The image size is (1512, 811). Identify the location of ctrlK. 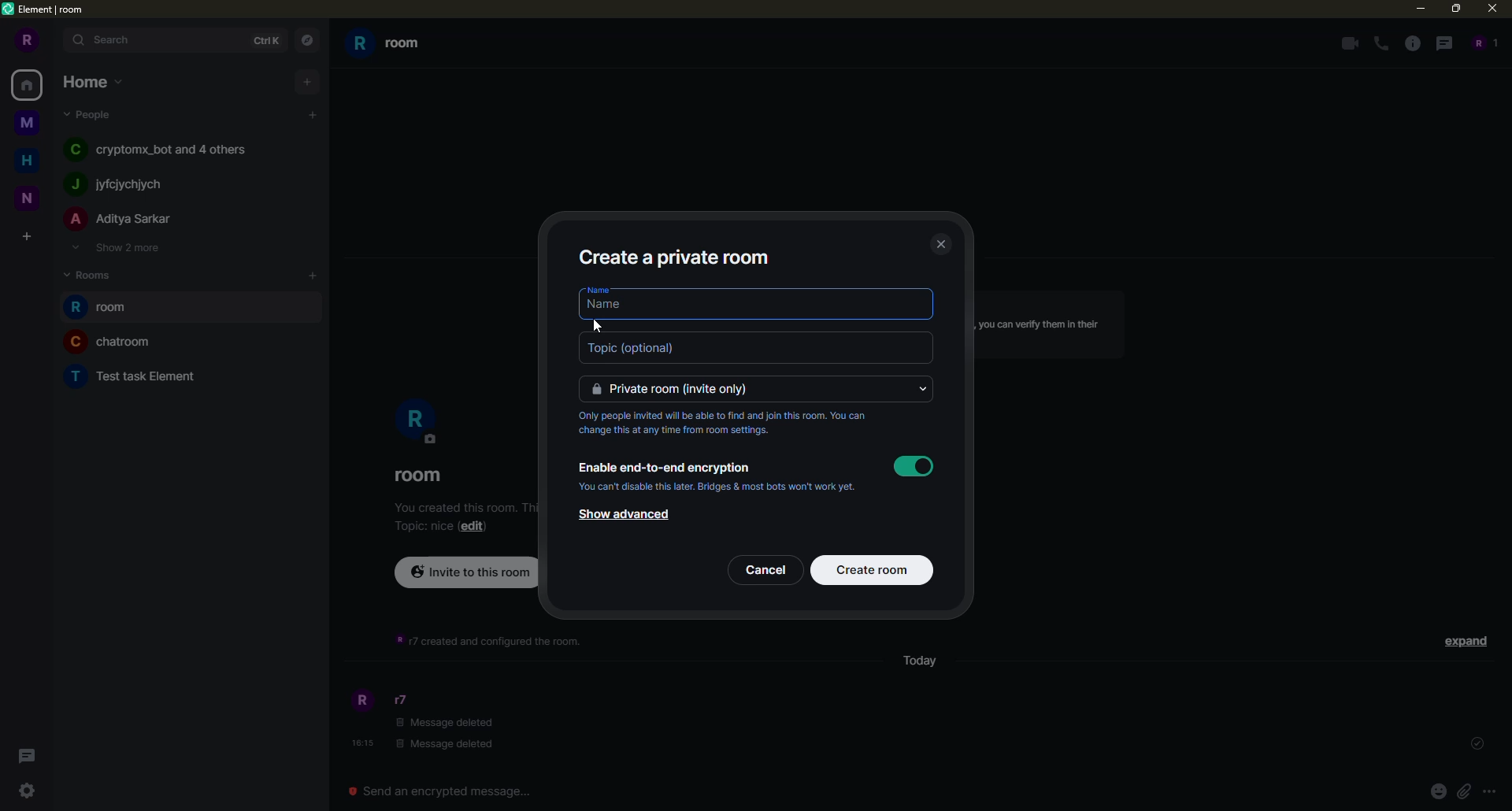
(265, 41).